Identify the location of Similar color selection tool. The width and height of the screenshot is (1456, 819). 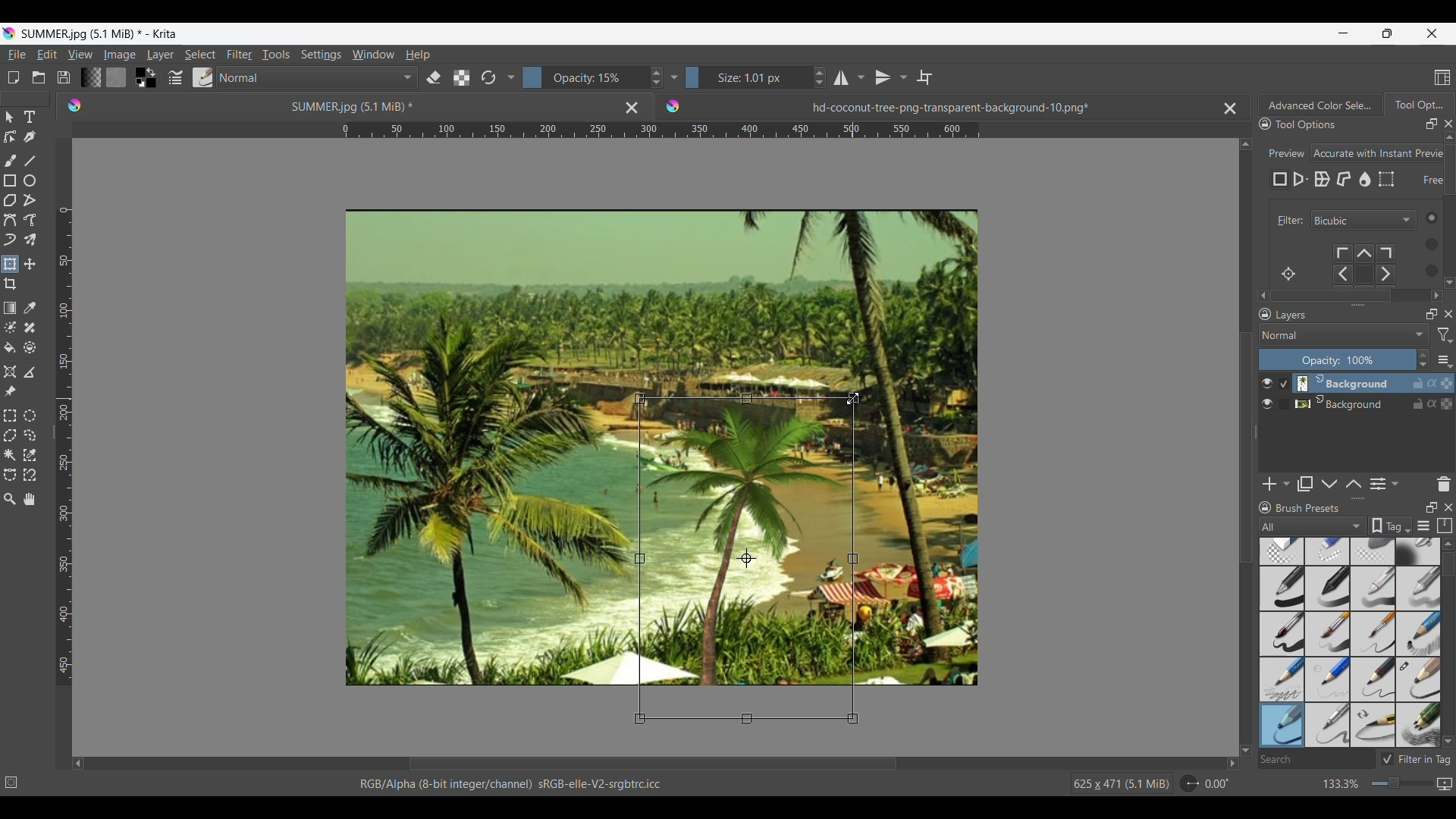
(30, 454).